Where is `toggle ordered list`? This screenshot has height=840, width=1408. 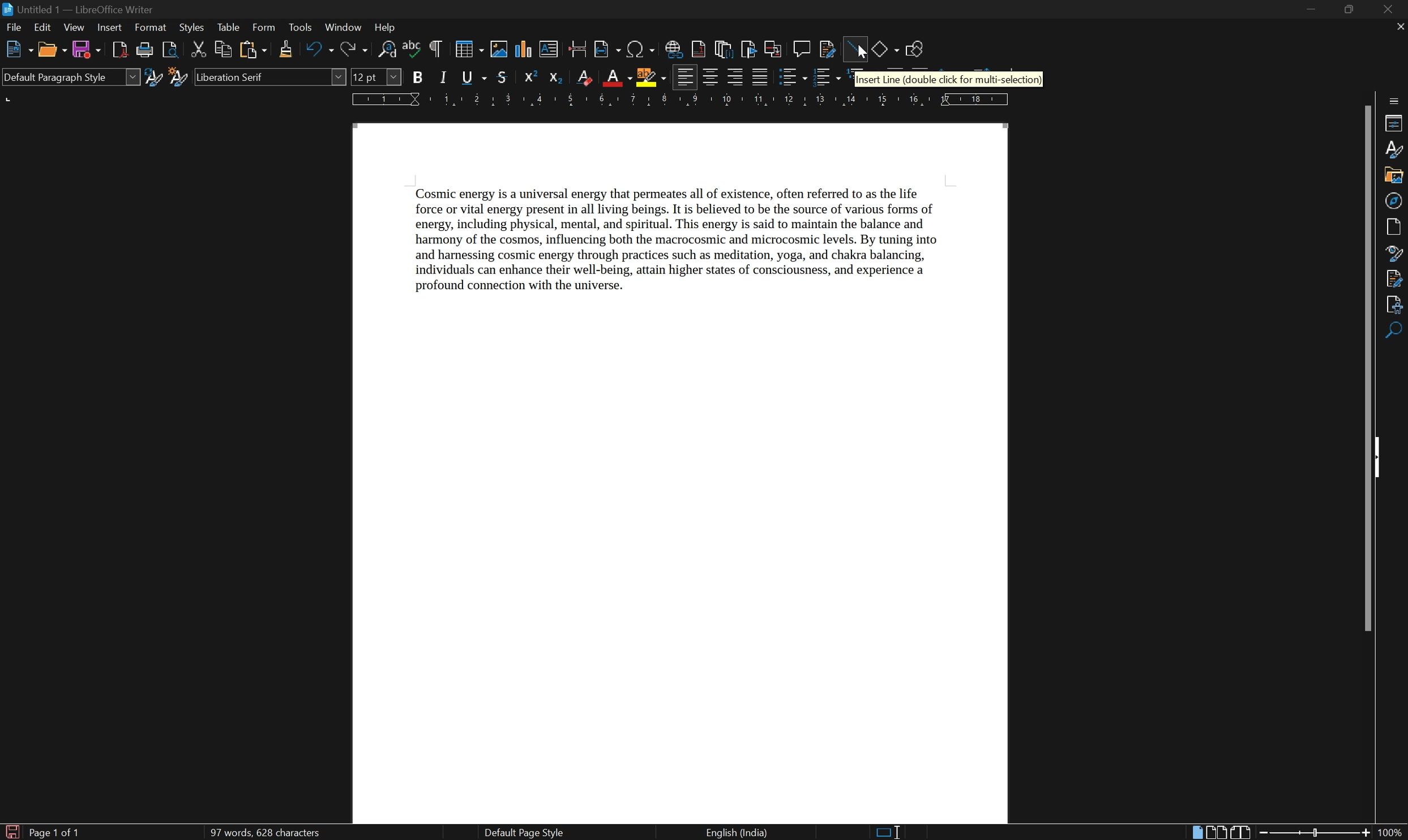 toggle ordered list is located at coordinates (829, 77).